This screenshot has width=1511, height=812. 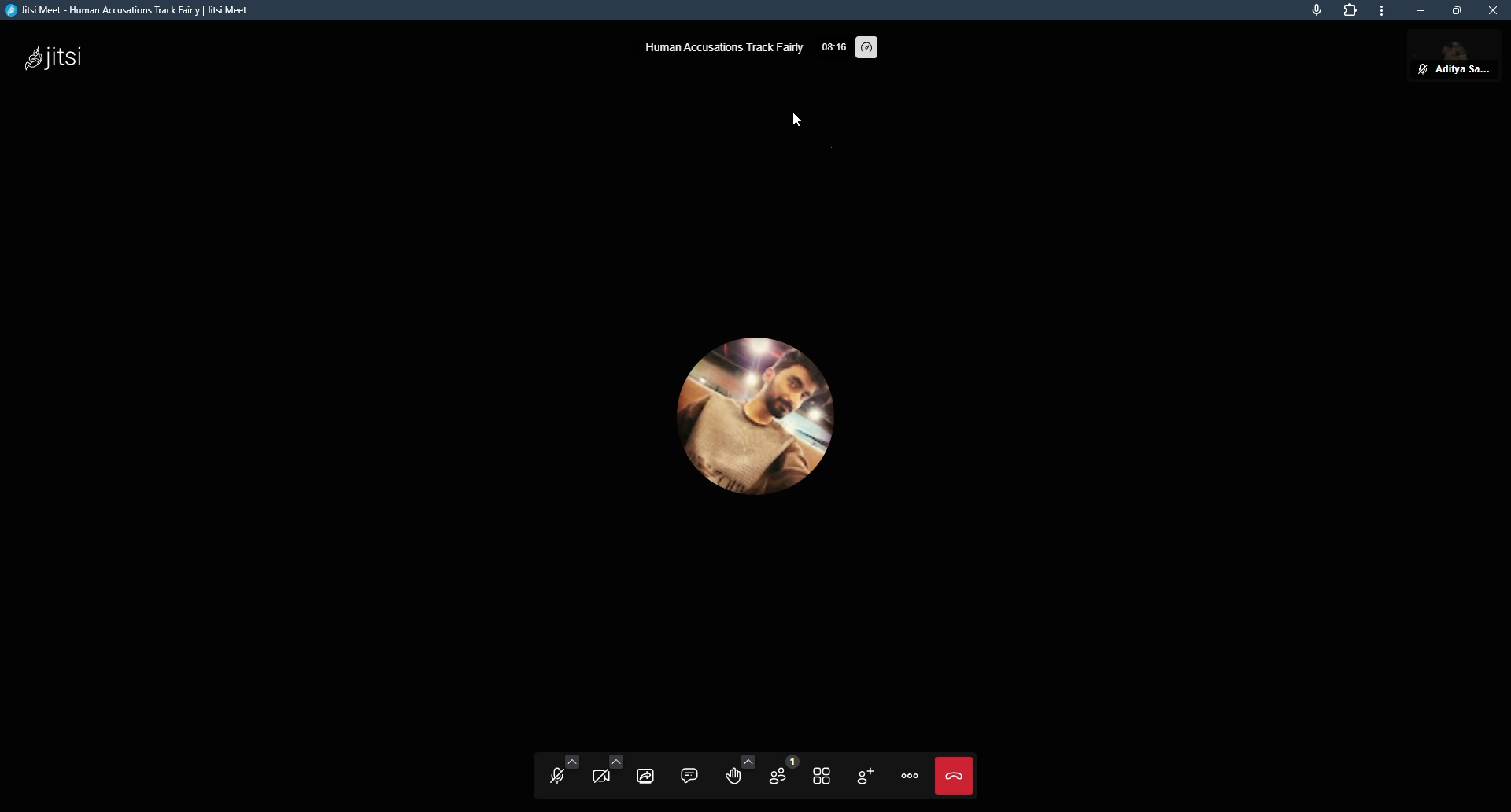 I want to click on performance setting, so click(x=866, y=48).